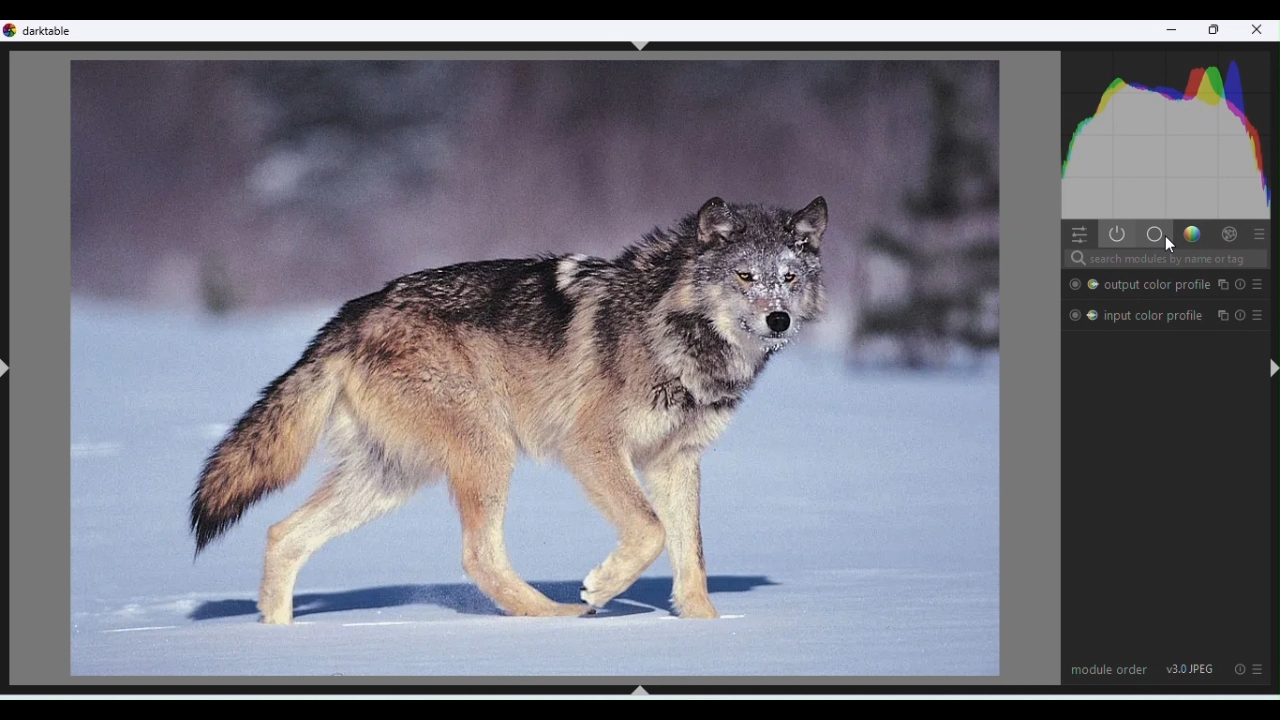 Image resolution: width=1280 pixels, height=720 pixels. Describe the element at coordinates (51, 30) in the screenshot. I see `Dark table` at that location.